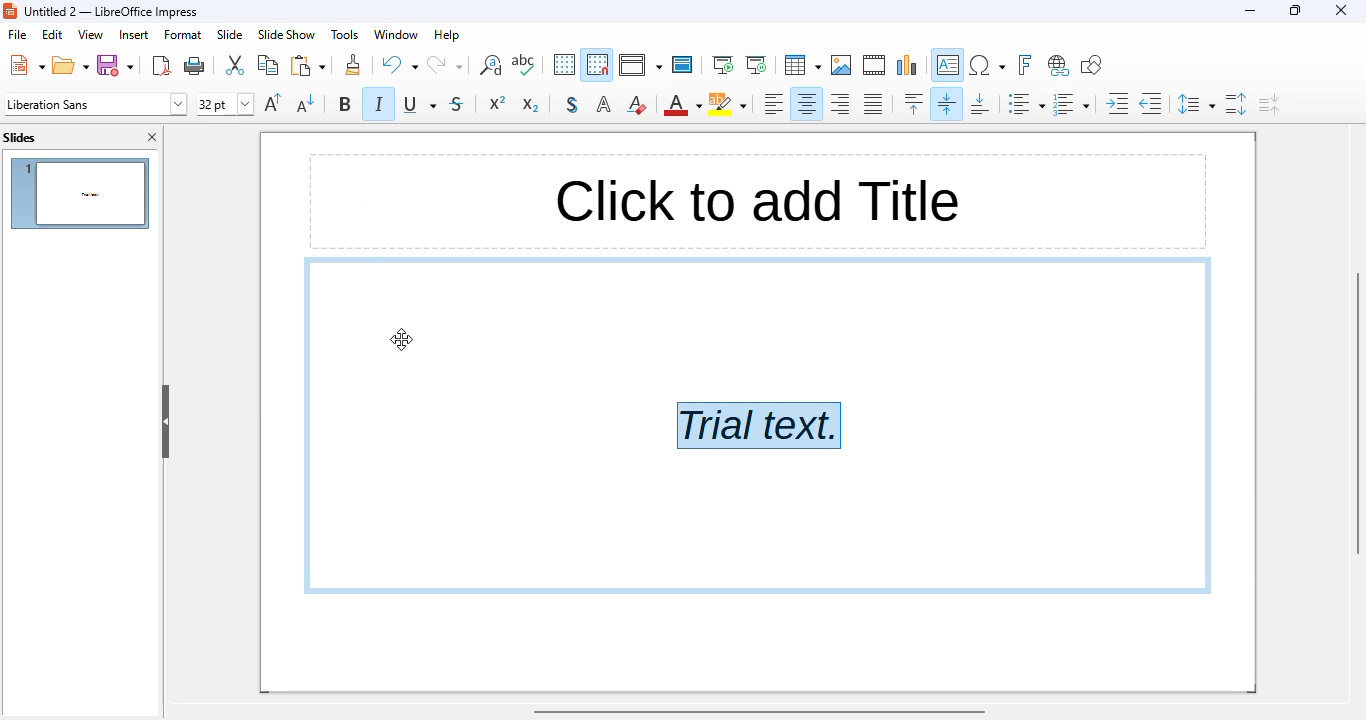 The image size is (1366, 720). Describe the element at coordinates (378, 103) in the screenshot. I see `italic` at that location.